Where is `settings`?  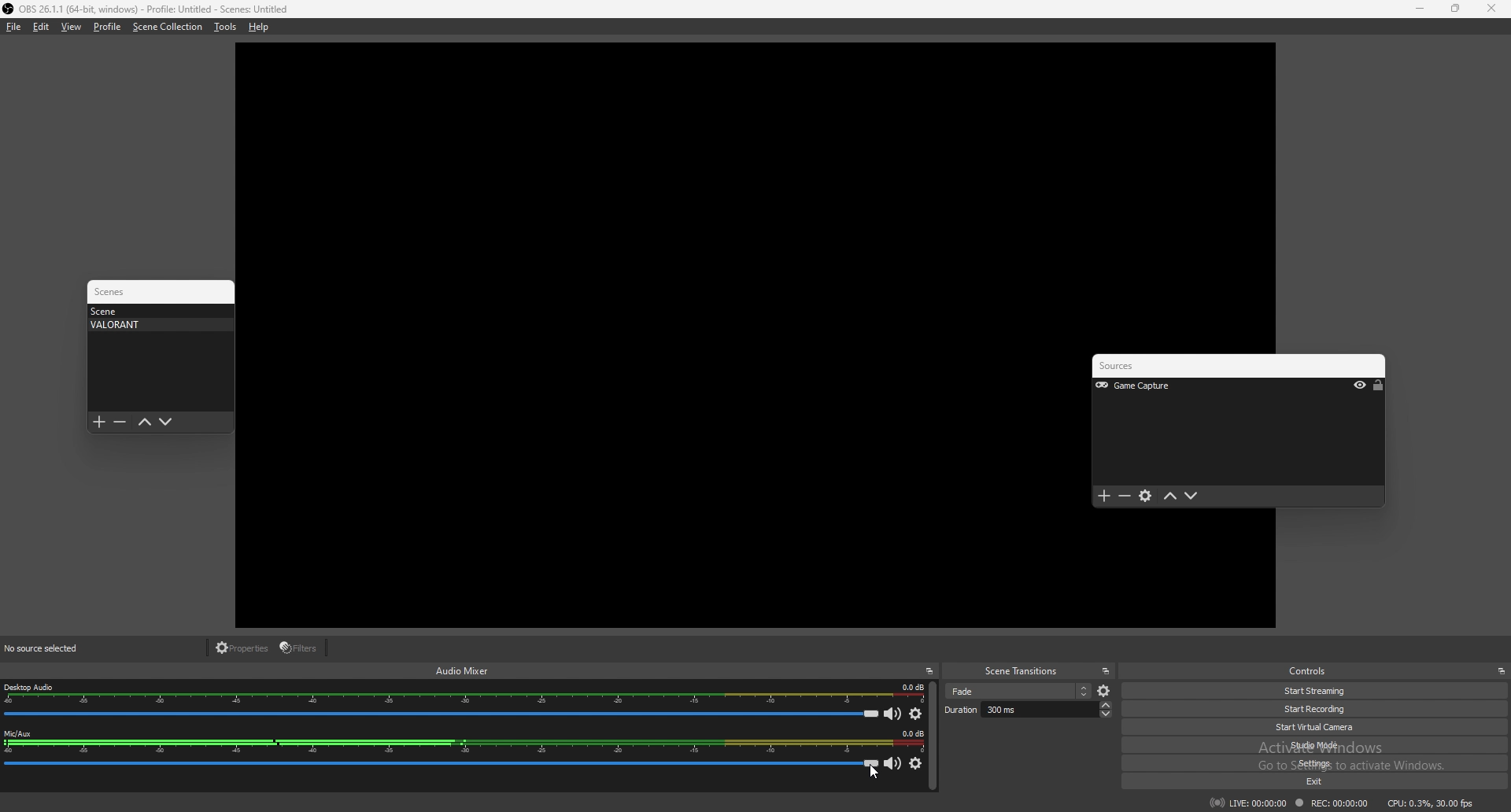 settings is located at coordinates (1147, 497).